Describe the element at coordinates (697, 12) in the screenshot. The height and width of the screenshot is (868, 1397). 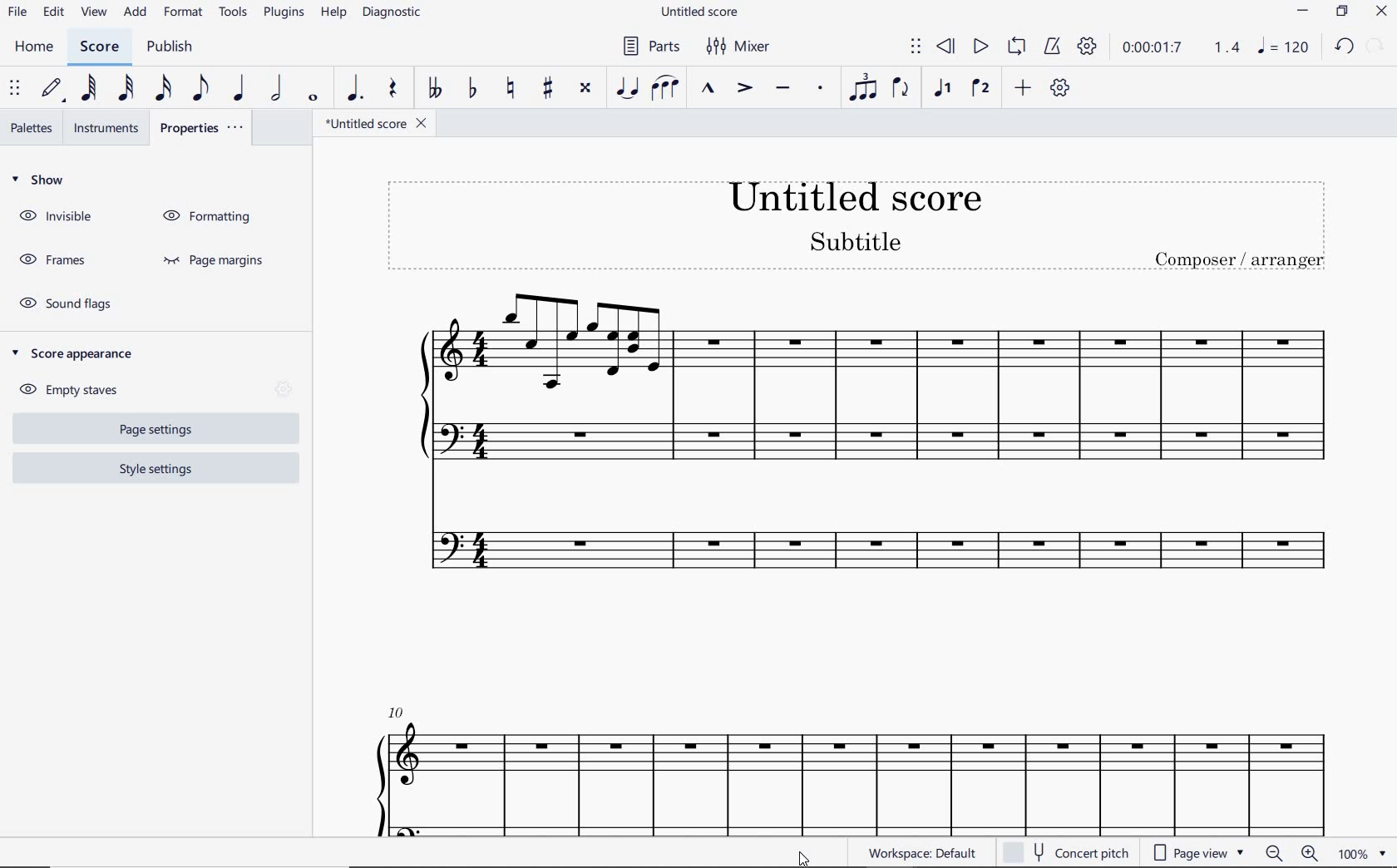
I see `FILE NAME` at that location.